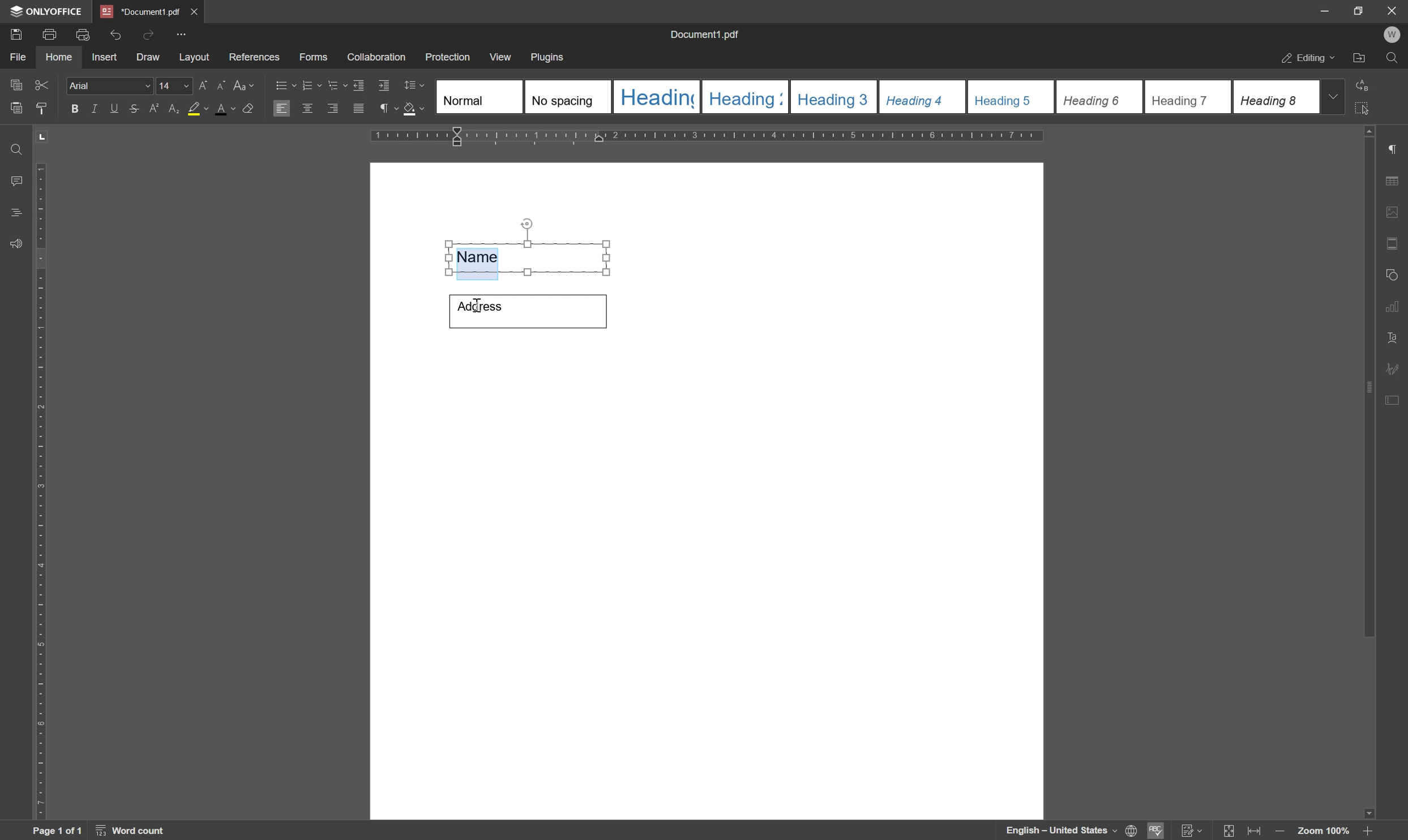 This screenshot has height=840, width=1408. I want to click on shading, so click(414, 110).